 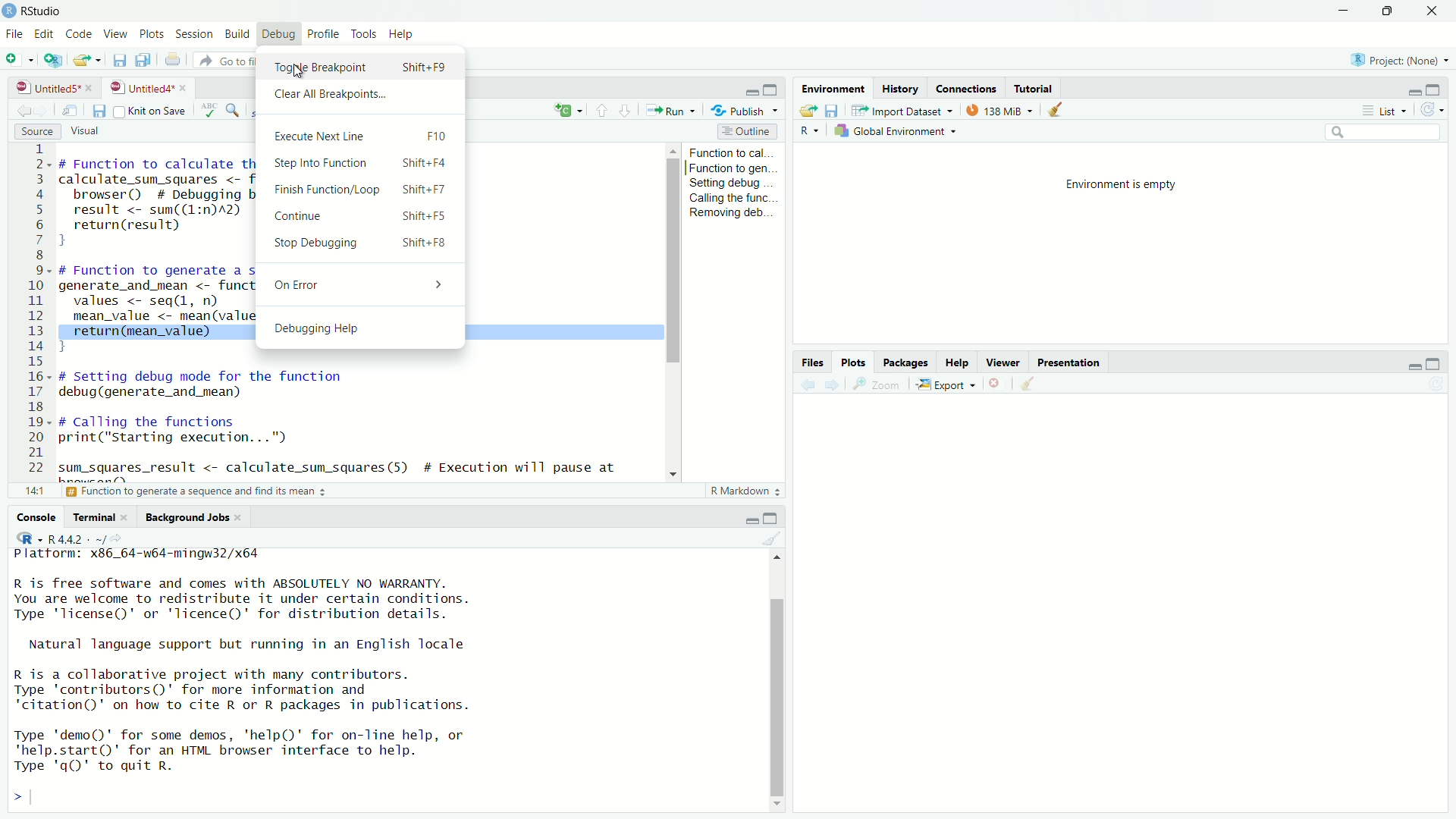 I want to click on minimize, so click(x=745, y=516).